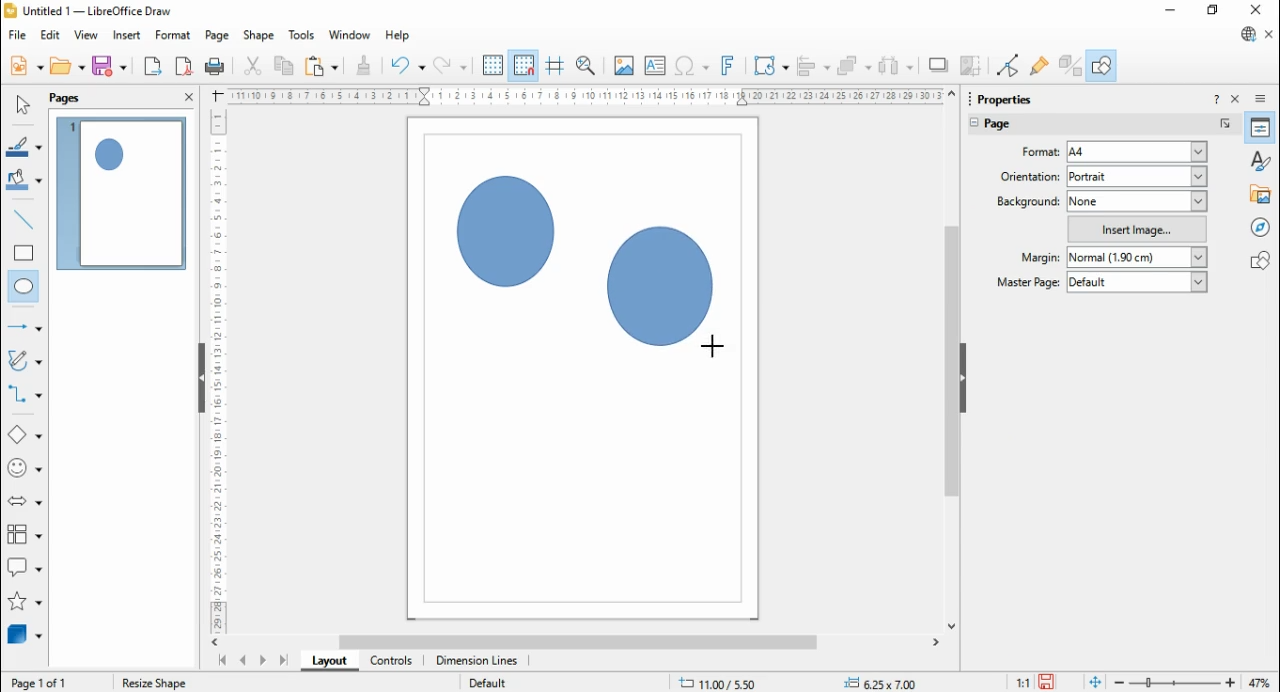 Image resolution: width=1280 pixels, height=692 pixels. What do you see at coordinates (728, 65) in the screenshot?
I see `insert fontwork text` at bounding box center [728, 65].